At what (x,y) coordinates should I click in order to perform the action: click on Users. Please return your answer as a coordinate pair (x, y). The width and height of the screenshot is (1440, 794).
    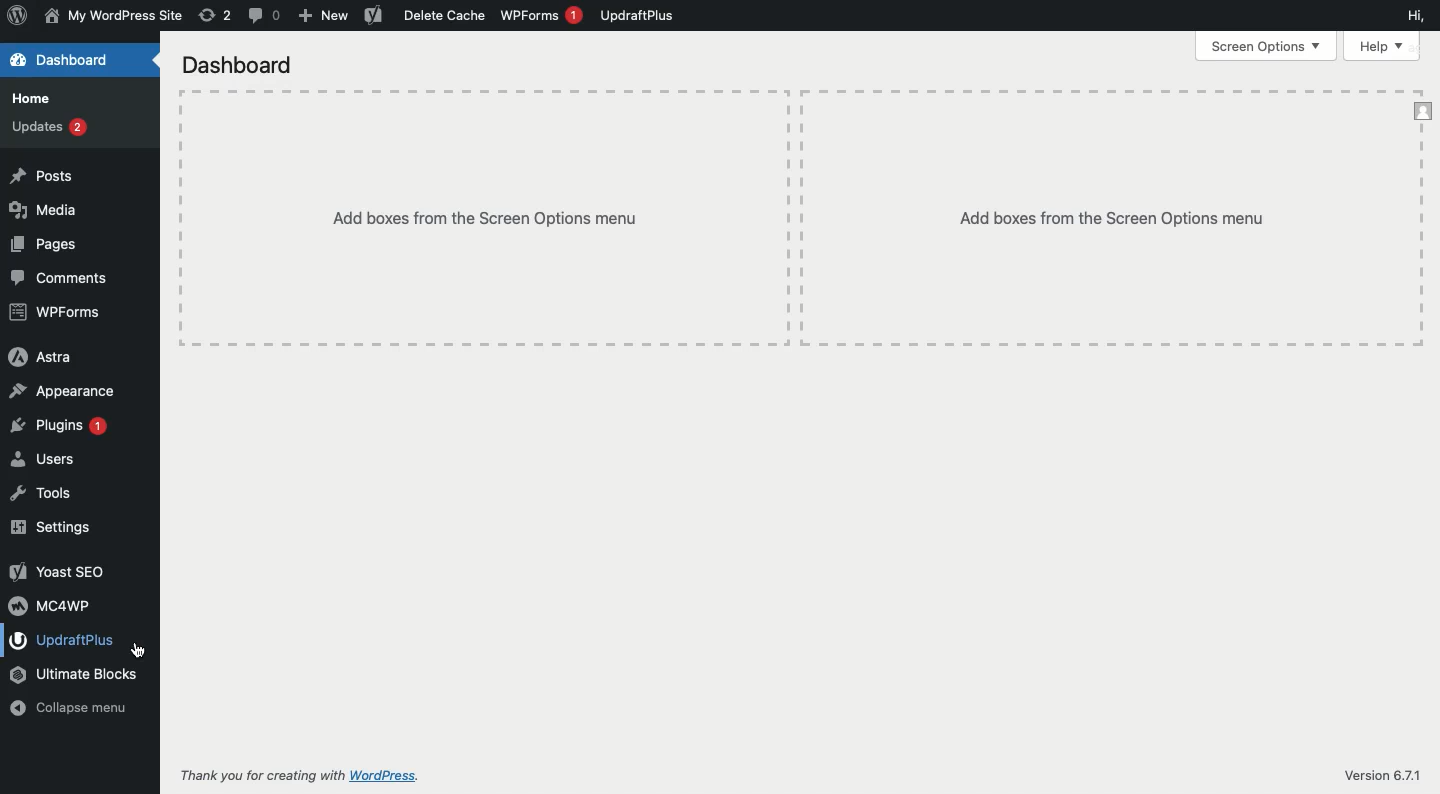
    Looking at the image, I should click on (43, 459).